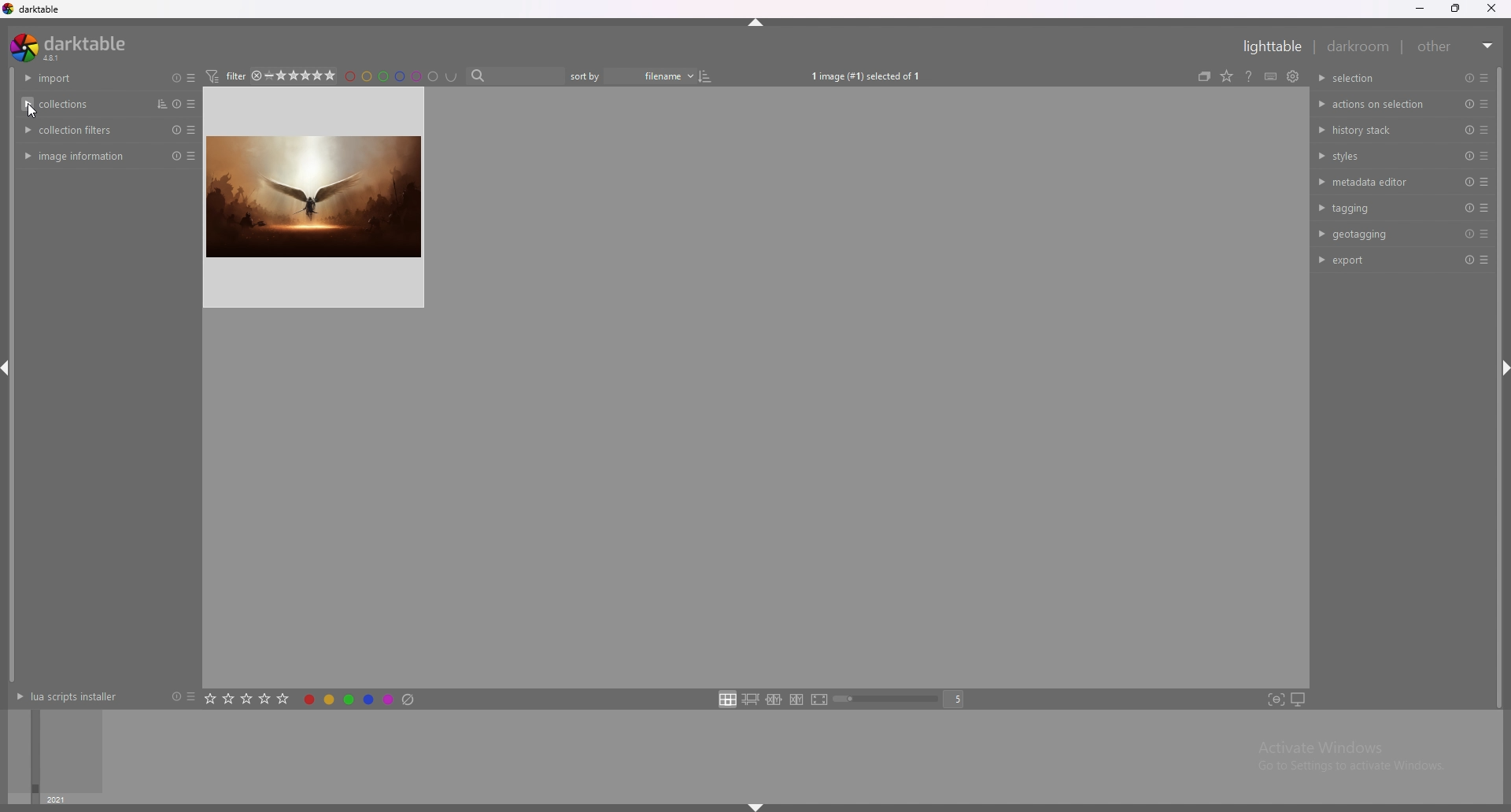  Describe the element at coordinates (1485, 105) in the screenshot. I see `presets` at that location.